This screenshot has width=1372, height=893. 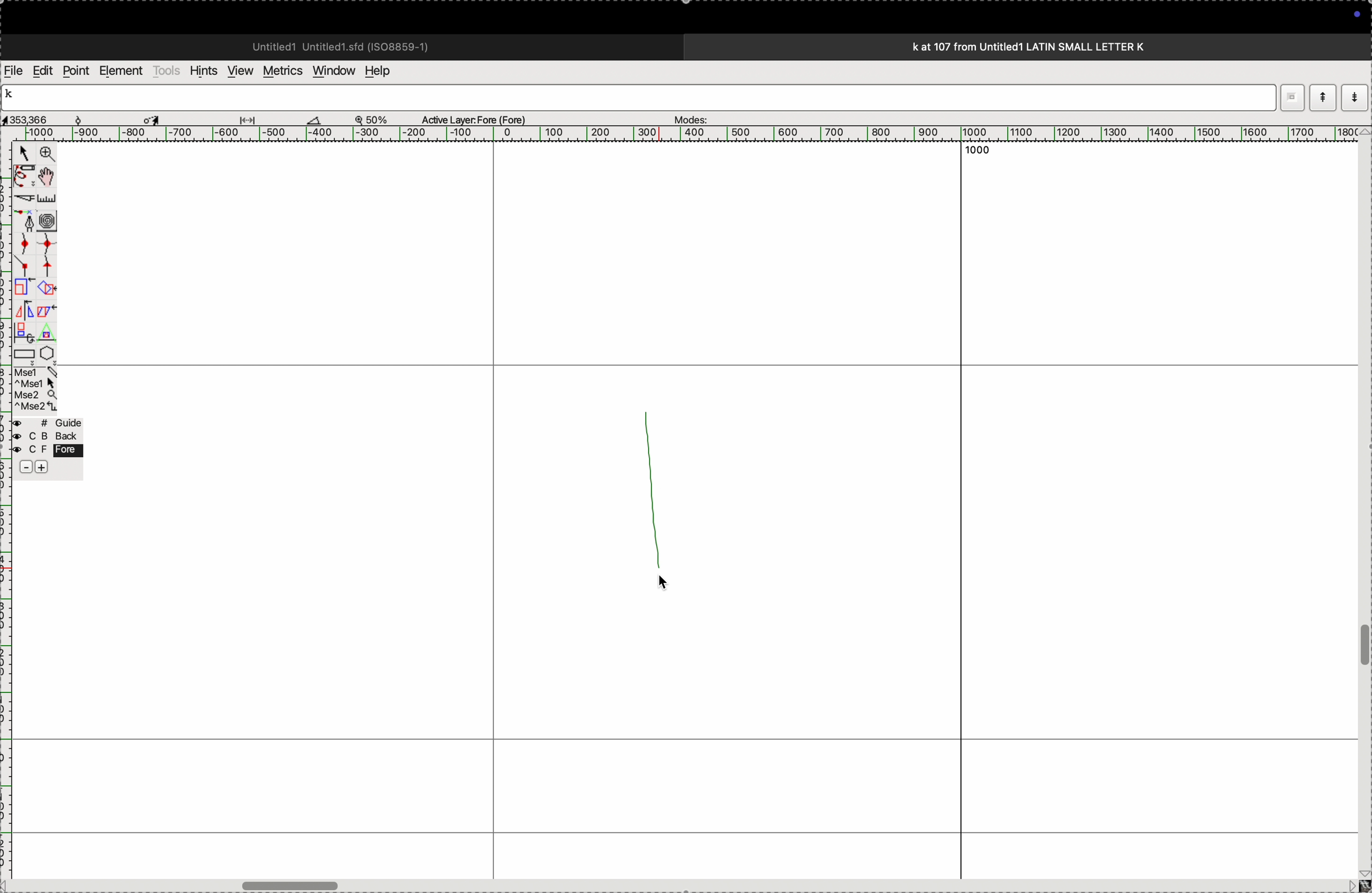 I want to click on pen, so click(x=24, y=176).